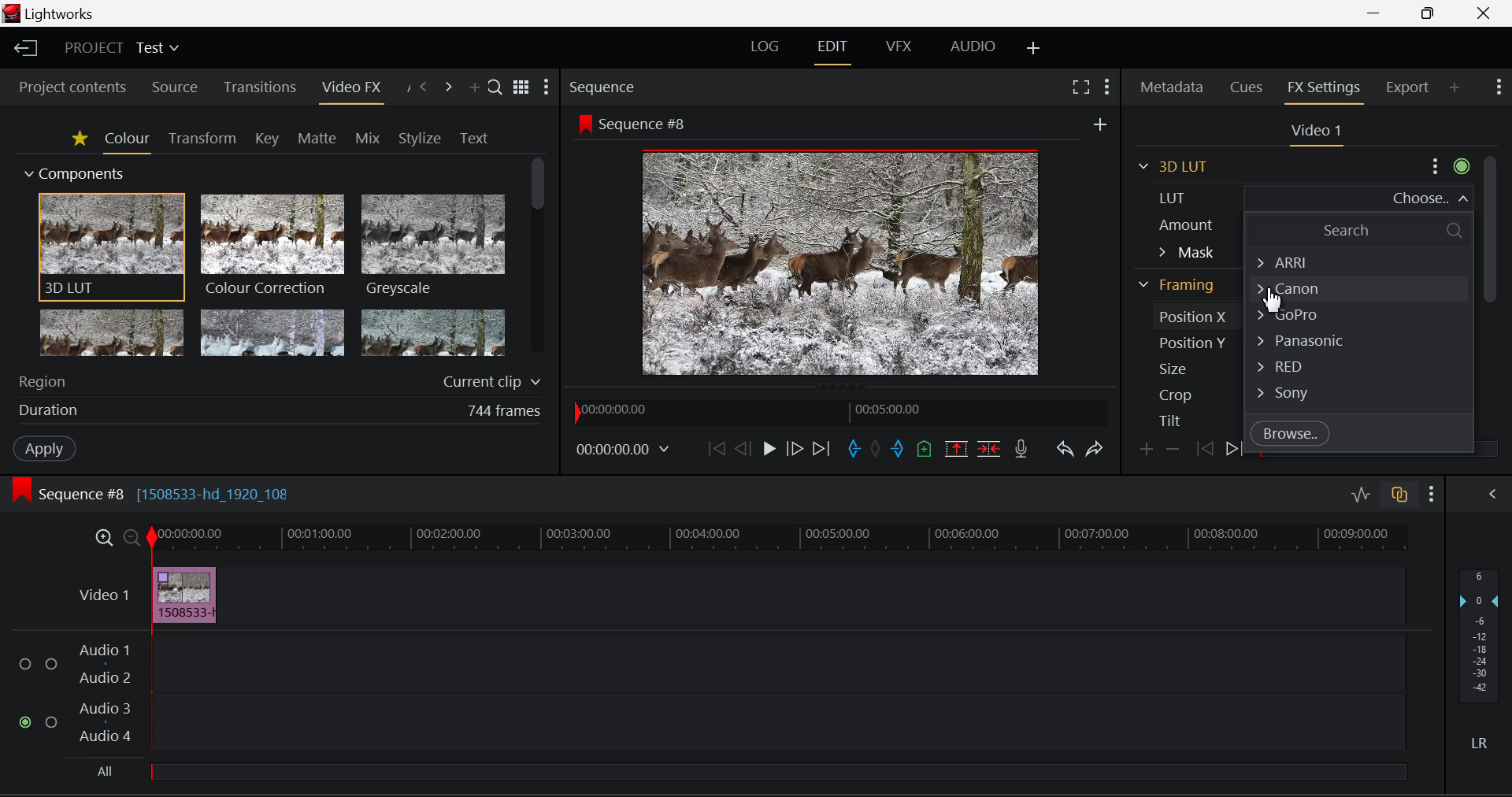  What do you see at coordinates (109, 247) in the screenshot?
I see `3D LUT` at bounding box center [109, 247].